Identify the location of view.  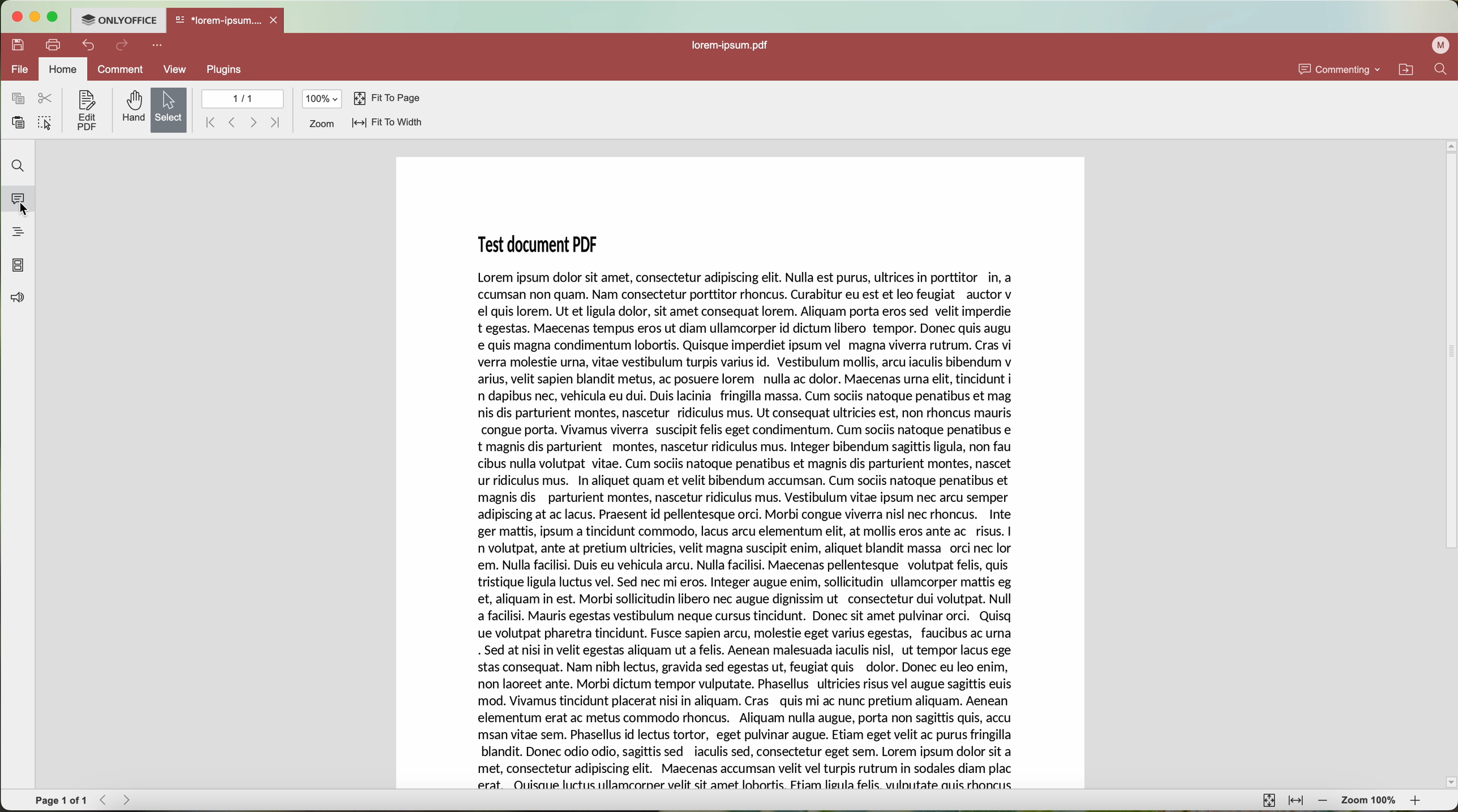
(177, 69).